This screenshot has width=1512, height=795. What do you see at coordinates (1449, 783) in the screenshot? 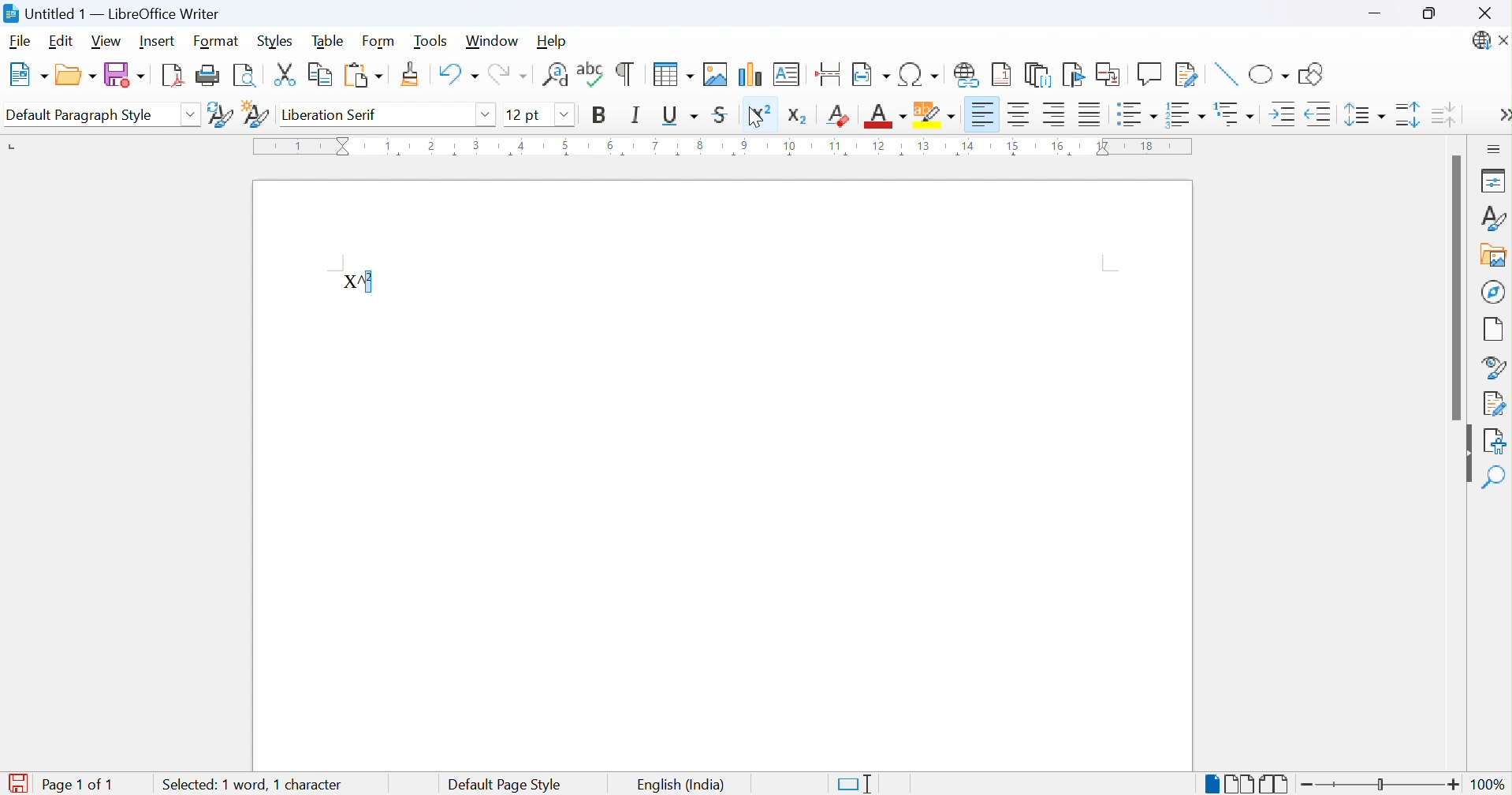
I see `Zoom in` at bounding box center [1449, 783].